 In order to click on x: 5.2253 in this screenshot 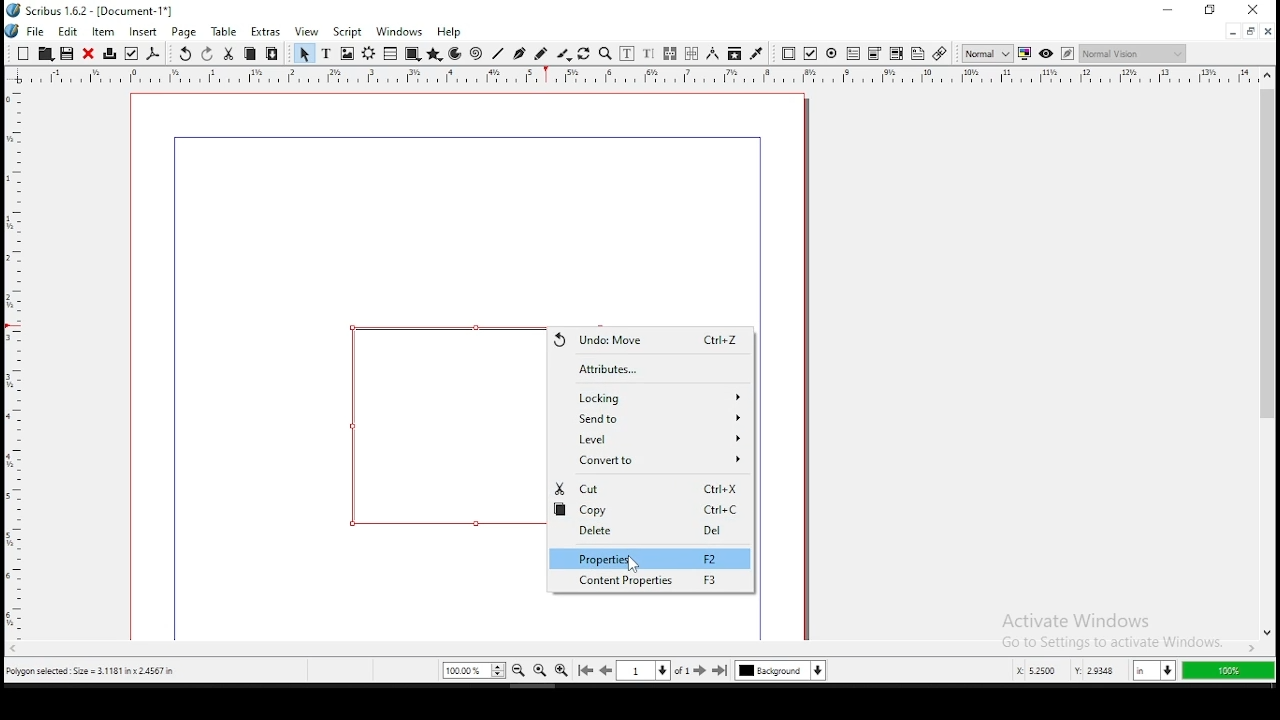, I will do `click(1031, 671)`.